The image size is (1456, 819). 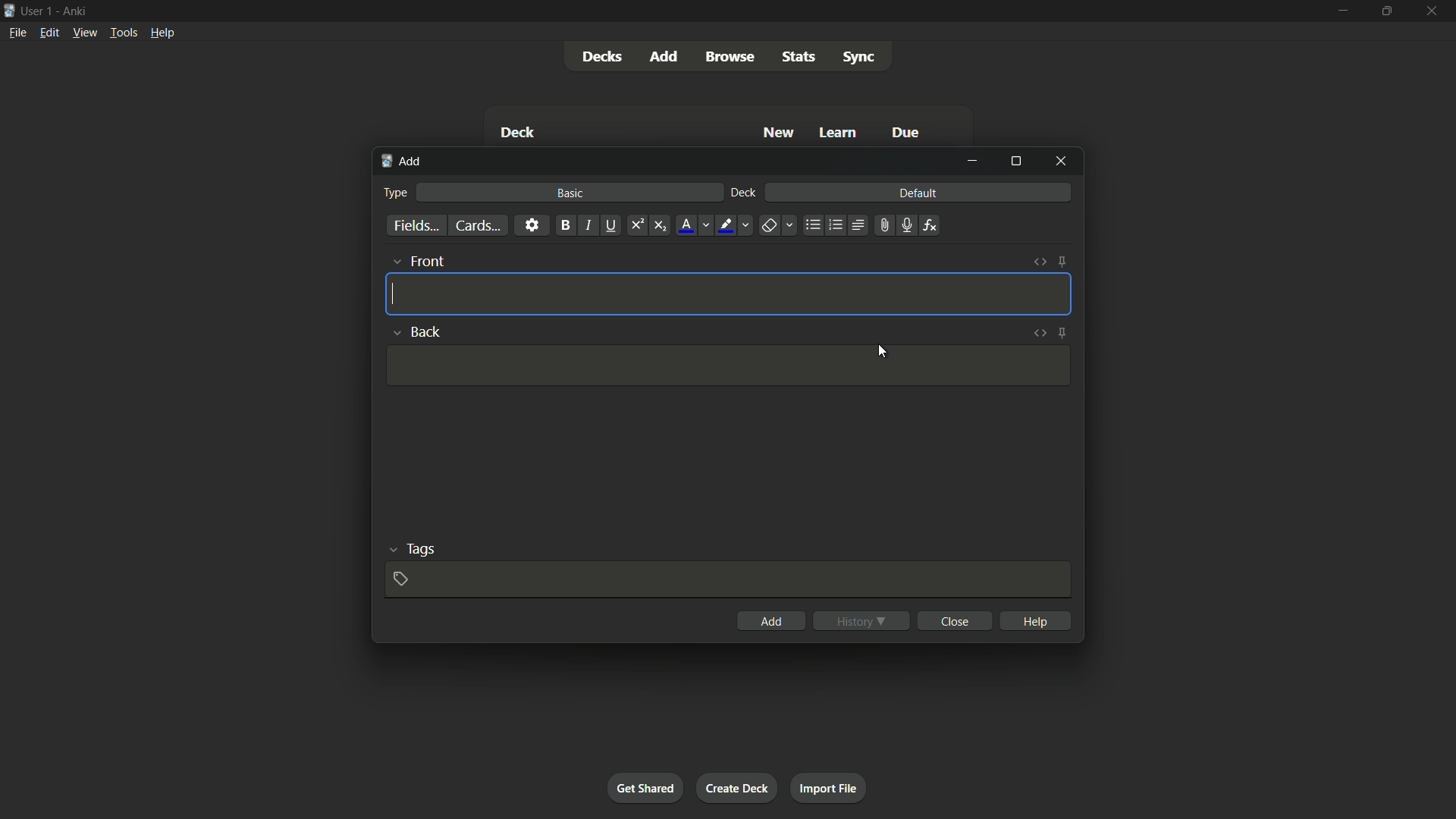 What do you see at coordinates (836, 224) in the screenshot?
I see `ordered list` at bounding box center [836, 224].